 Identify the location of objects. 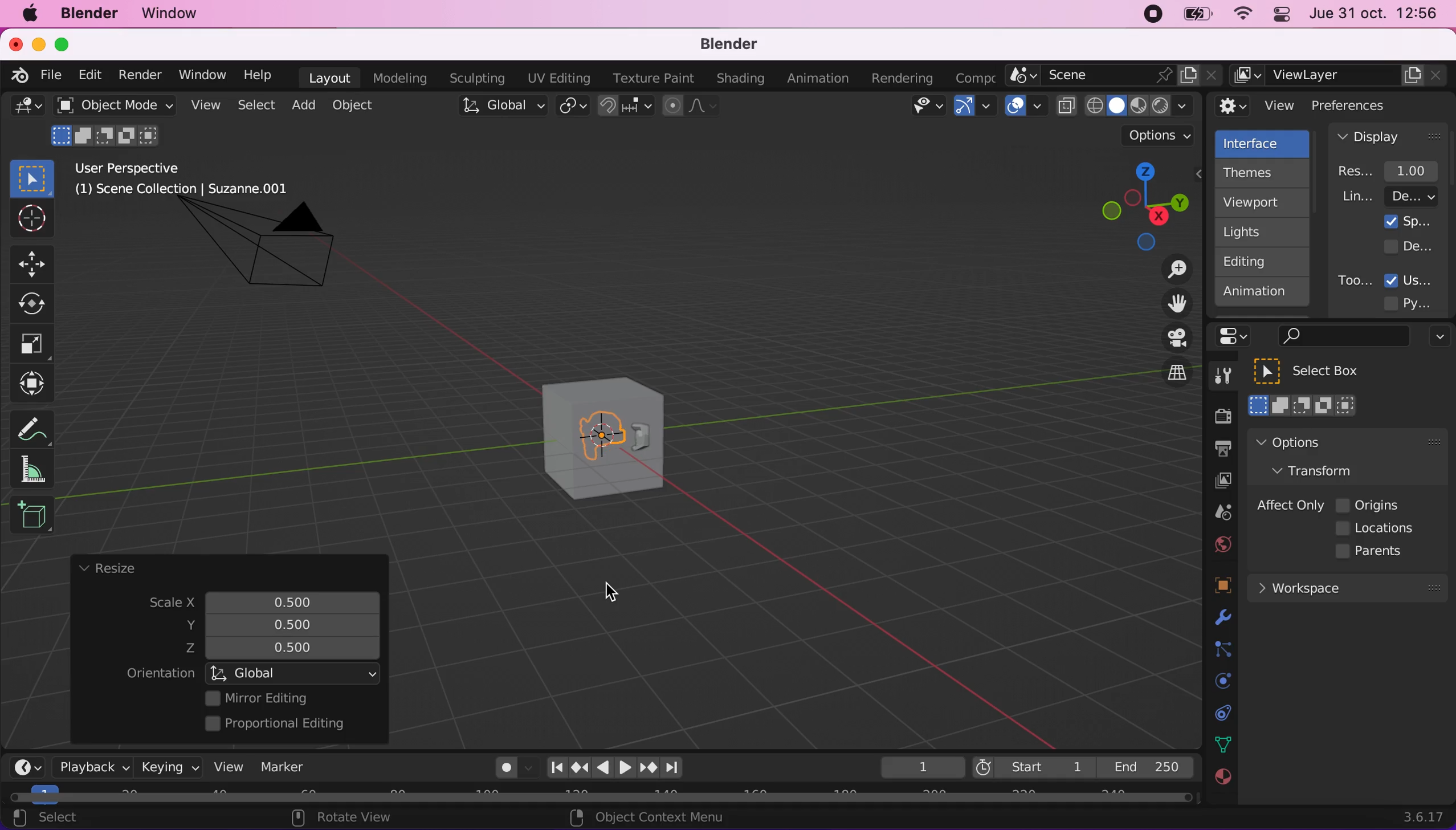
(1209, 587).